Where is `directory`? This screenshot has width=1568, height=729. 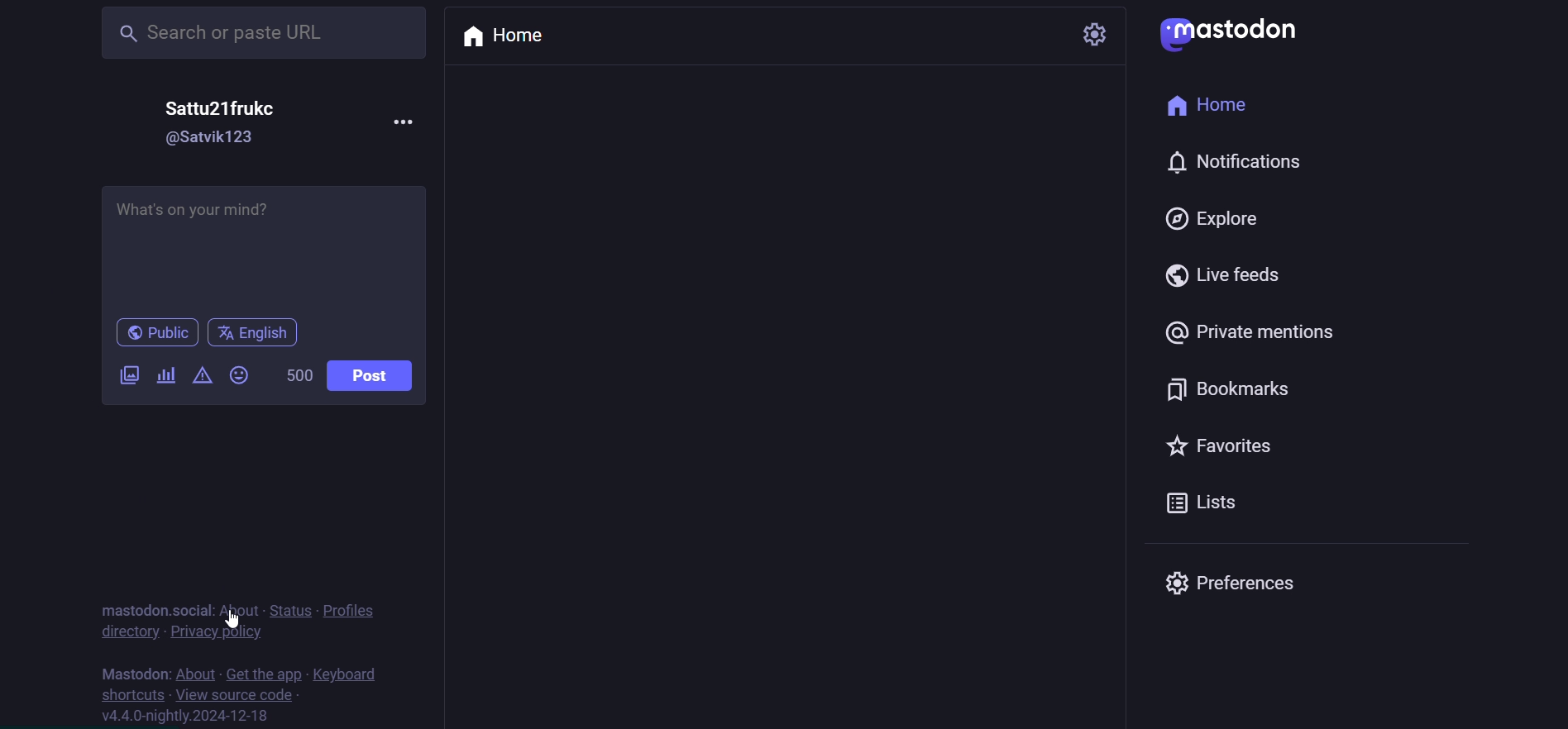
directory is located at coordinates (126, 631).